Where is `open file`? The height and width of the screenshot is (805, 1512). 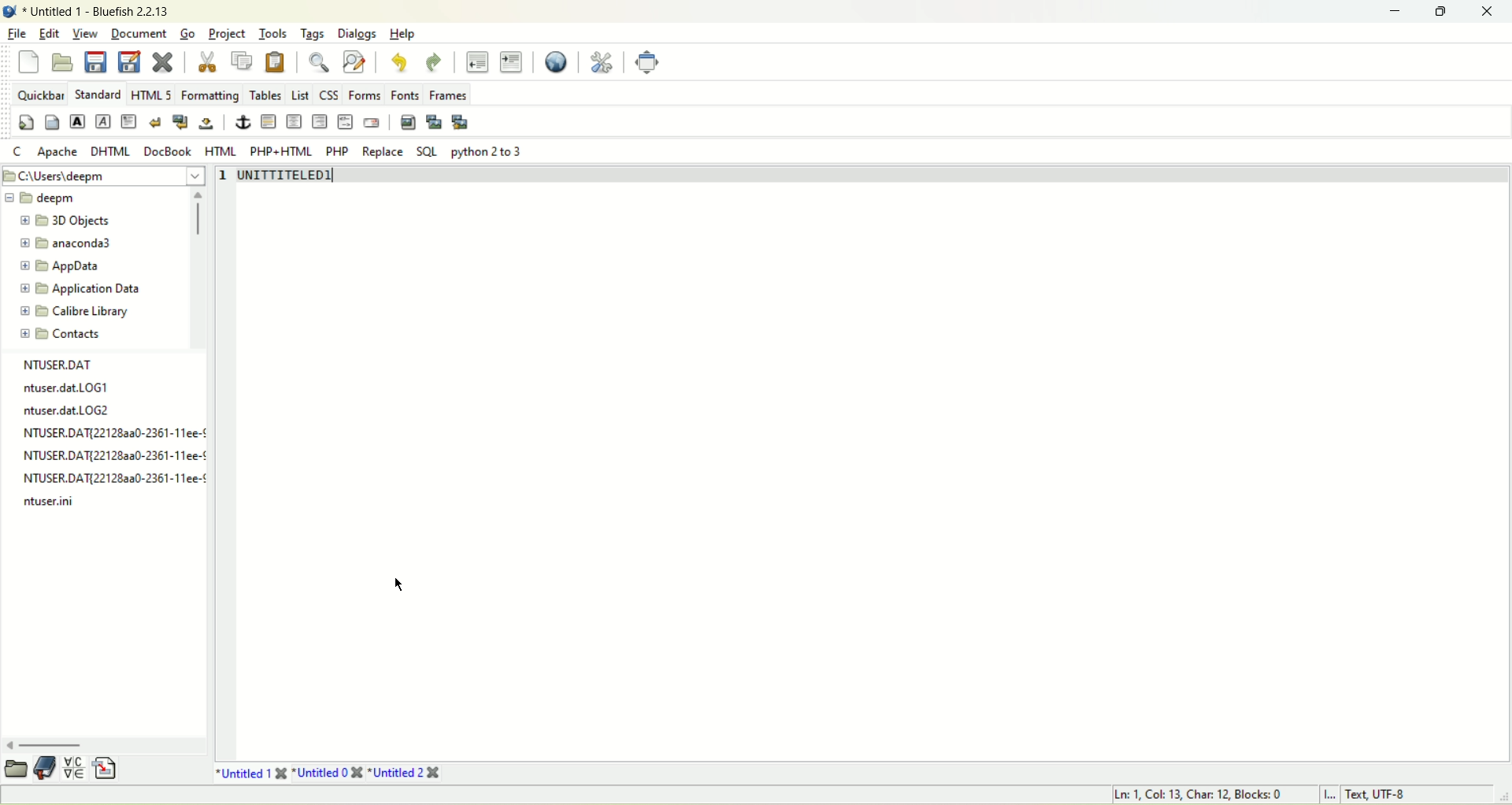 open file is located at coordinates (61, 61).